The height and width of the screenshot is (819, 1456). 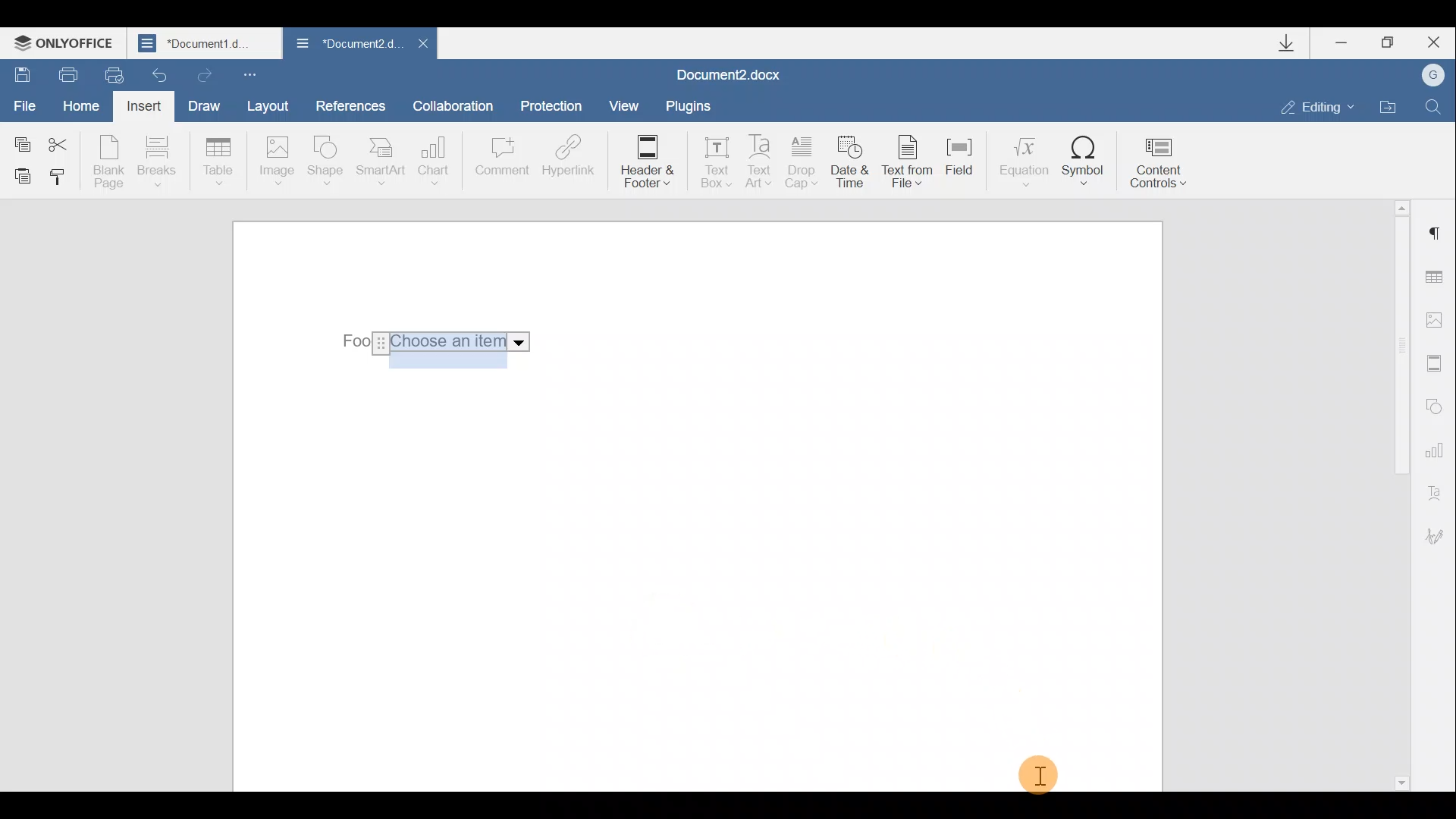 I want to click on Account name, so click(x=1428, y=76).